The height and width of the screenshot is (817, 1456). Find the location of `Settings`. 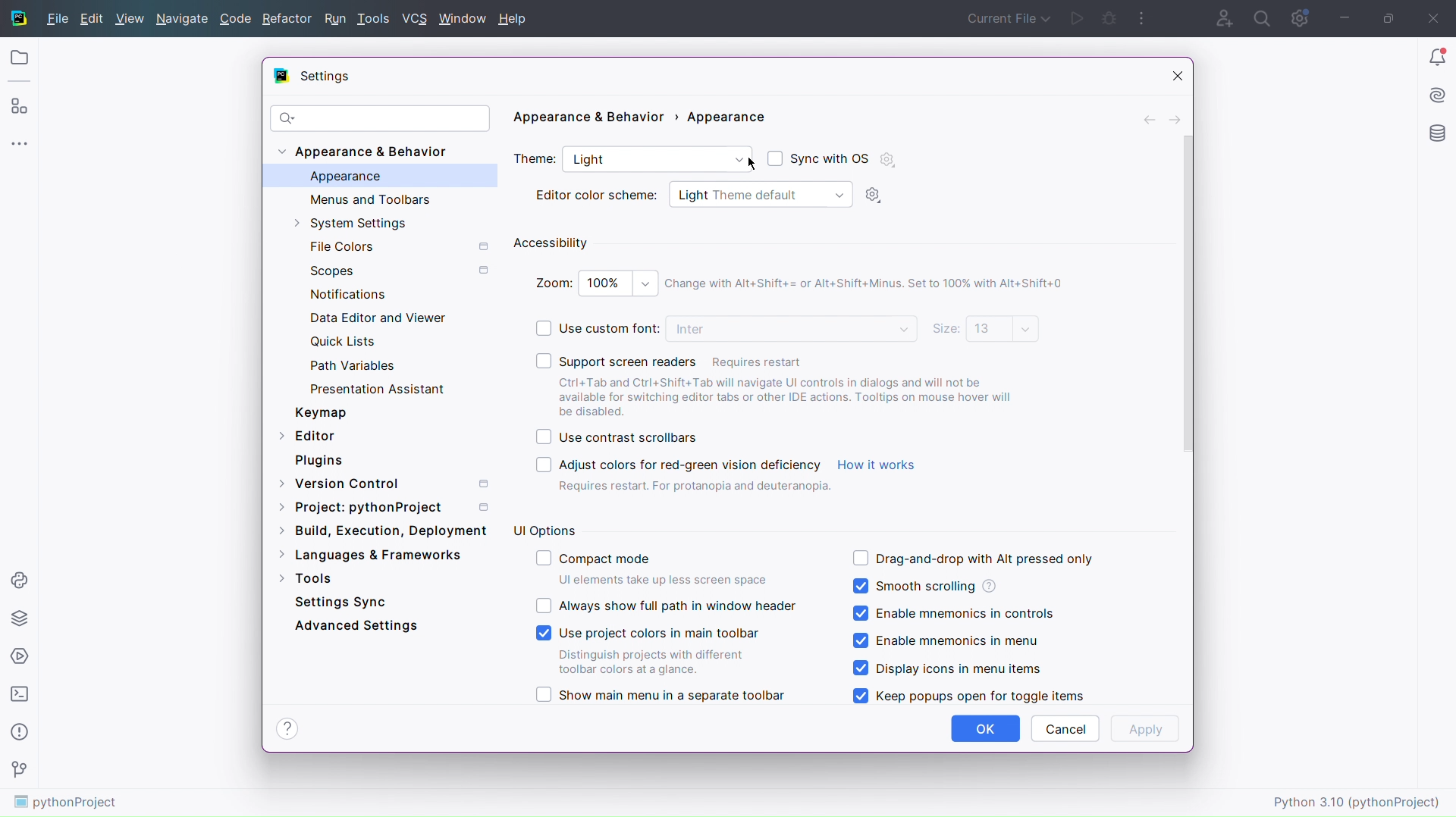

Settings is located at coordinates (323, 77).